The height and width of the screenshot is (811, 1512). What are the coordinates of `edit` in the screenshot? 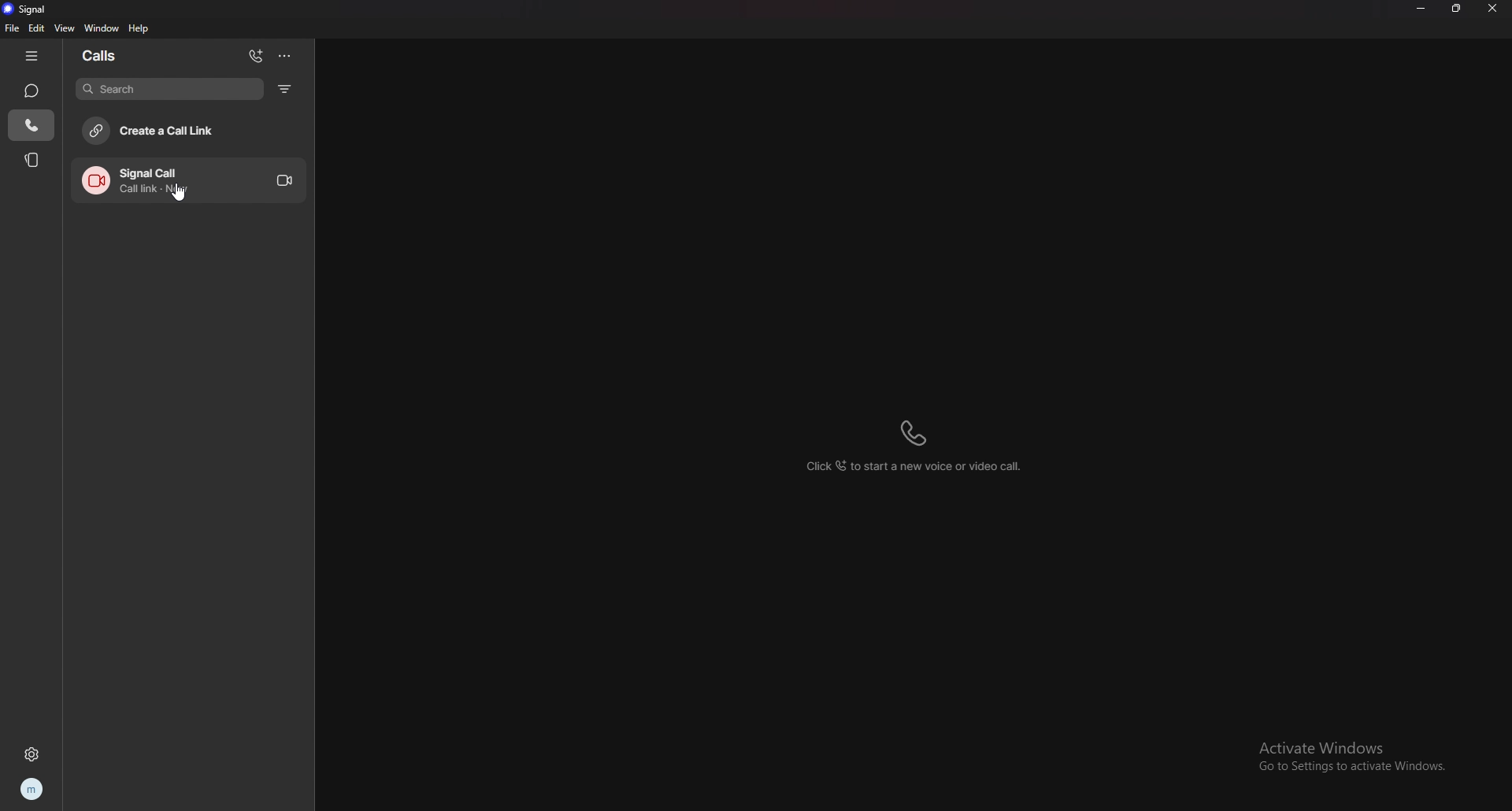 It's located at (36, 28).